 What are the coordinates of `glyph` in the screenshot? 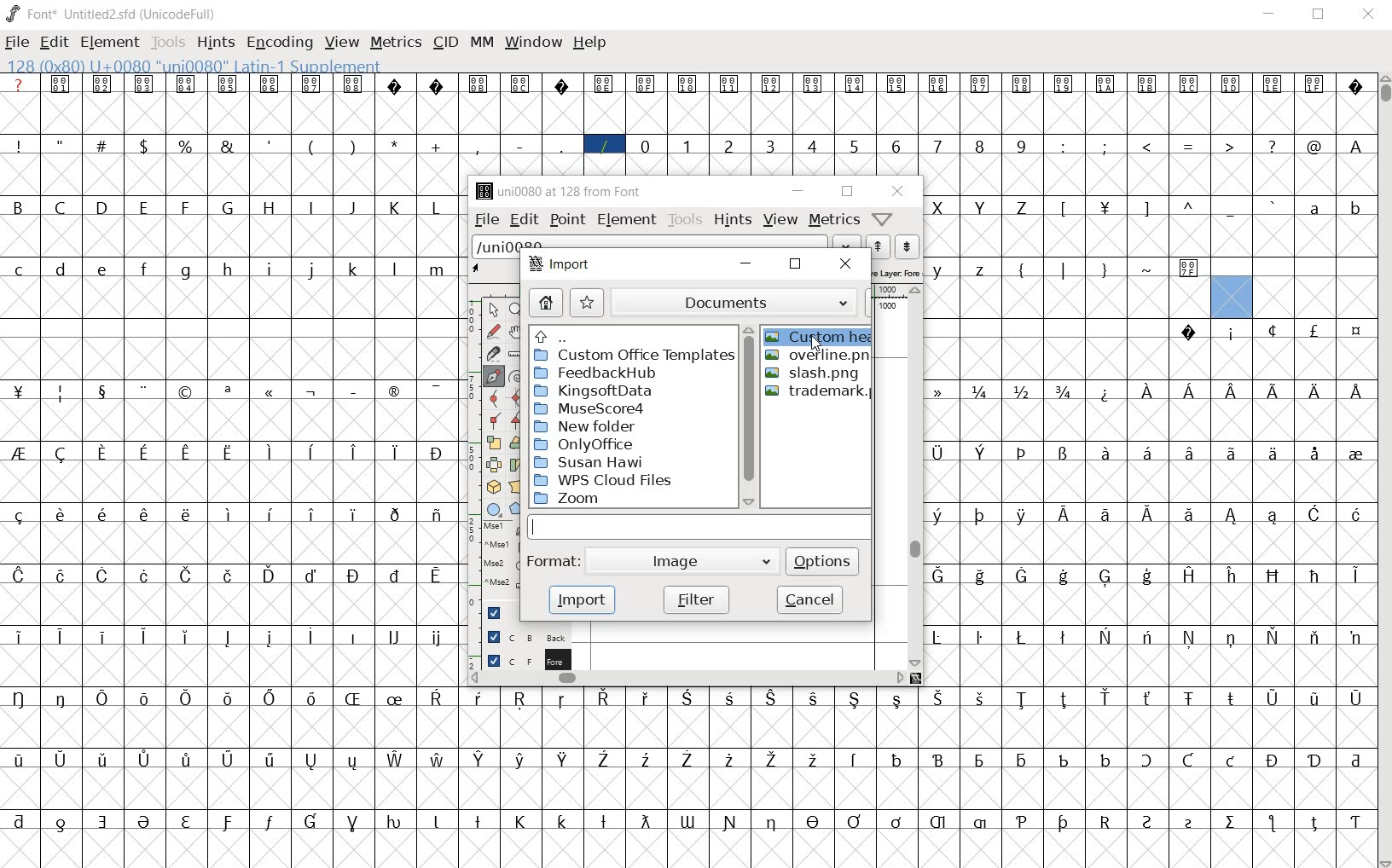 It's located at (769, 146).